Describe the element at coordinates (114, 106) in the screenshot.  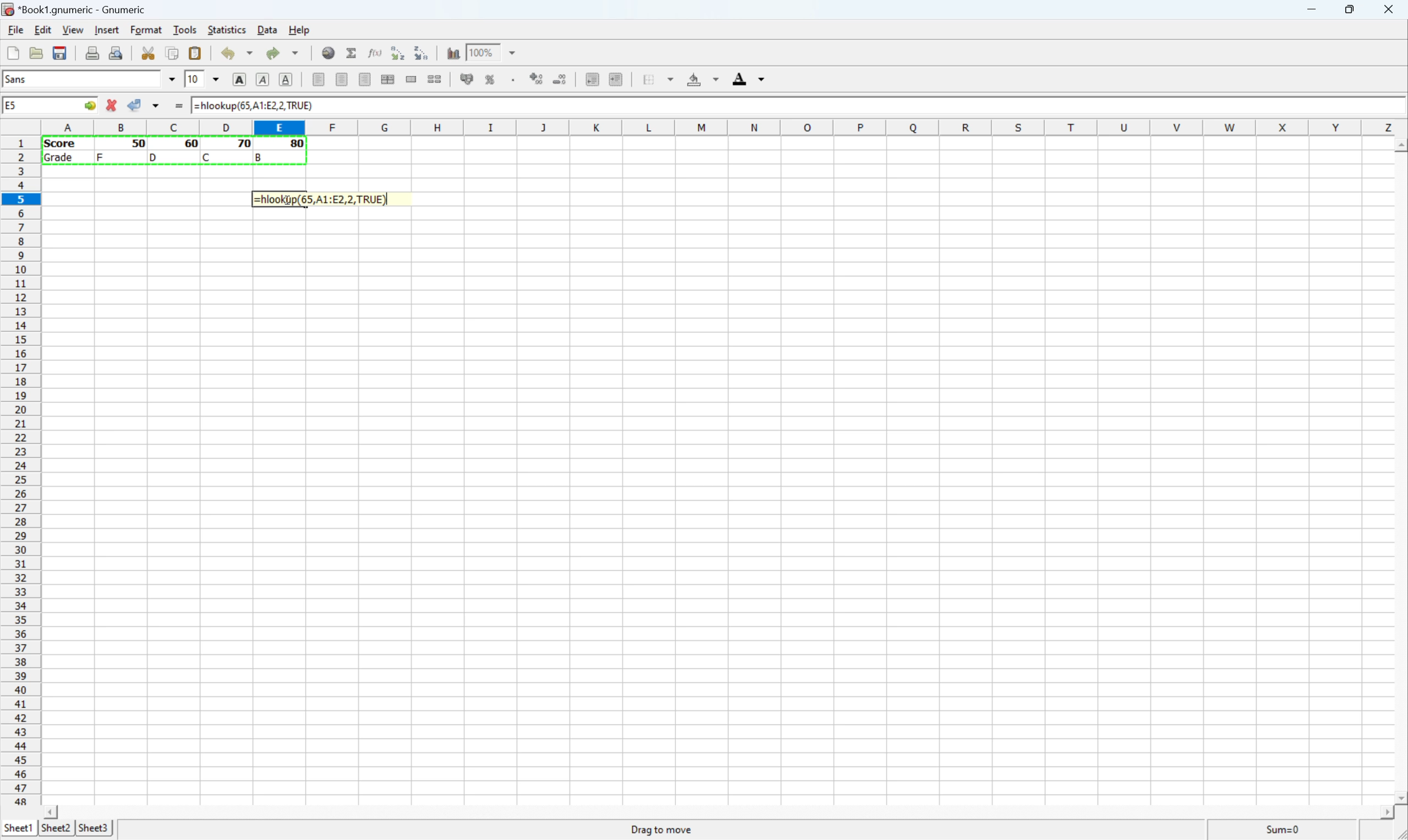
I see `Cancel change` at that location.